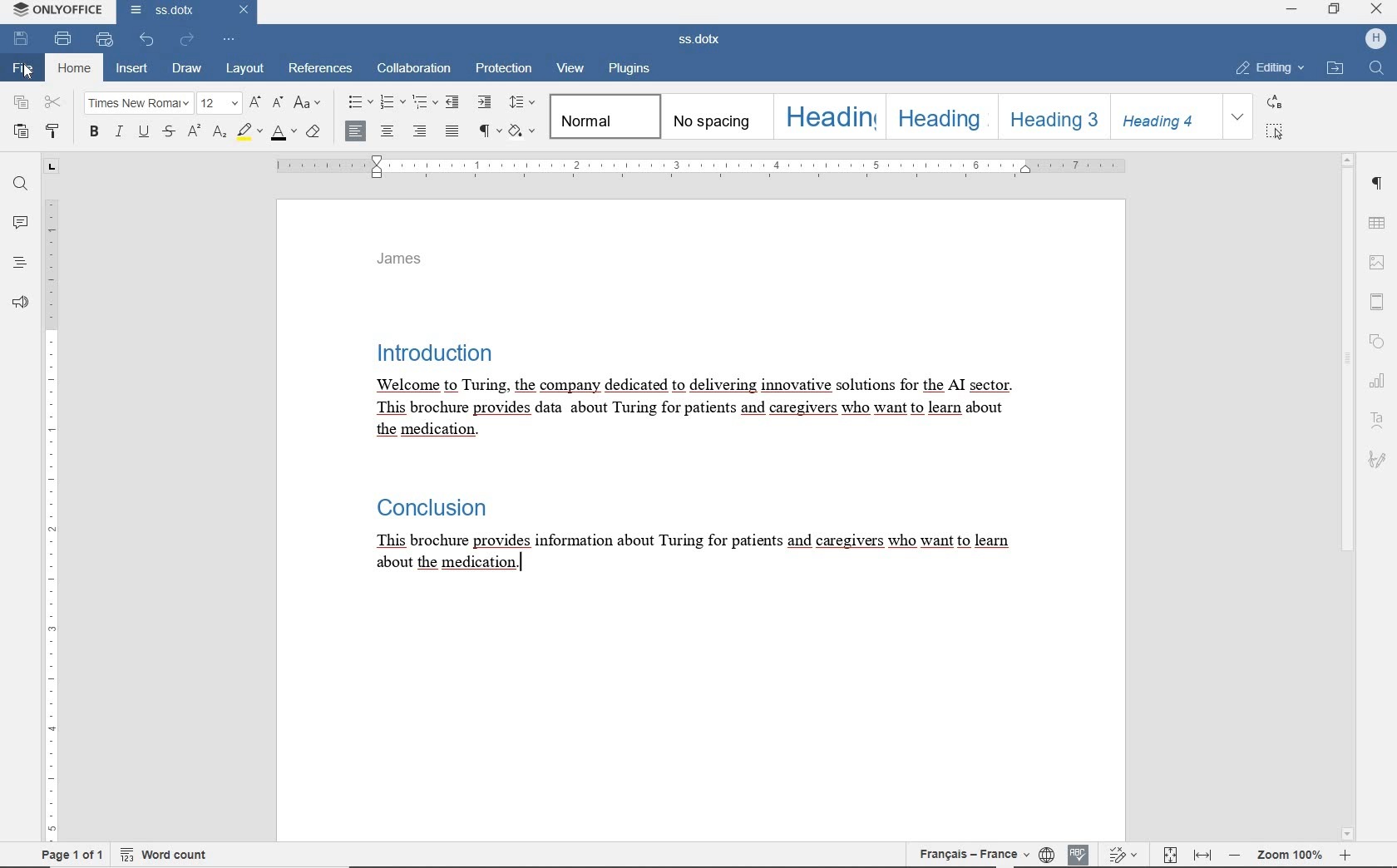 This screenshot has width=1397, height=868. I want to click on scroll up, so click(1347, 159).